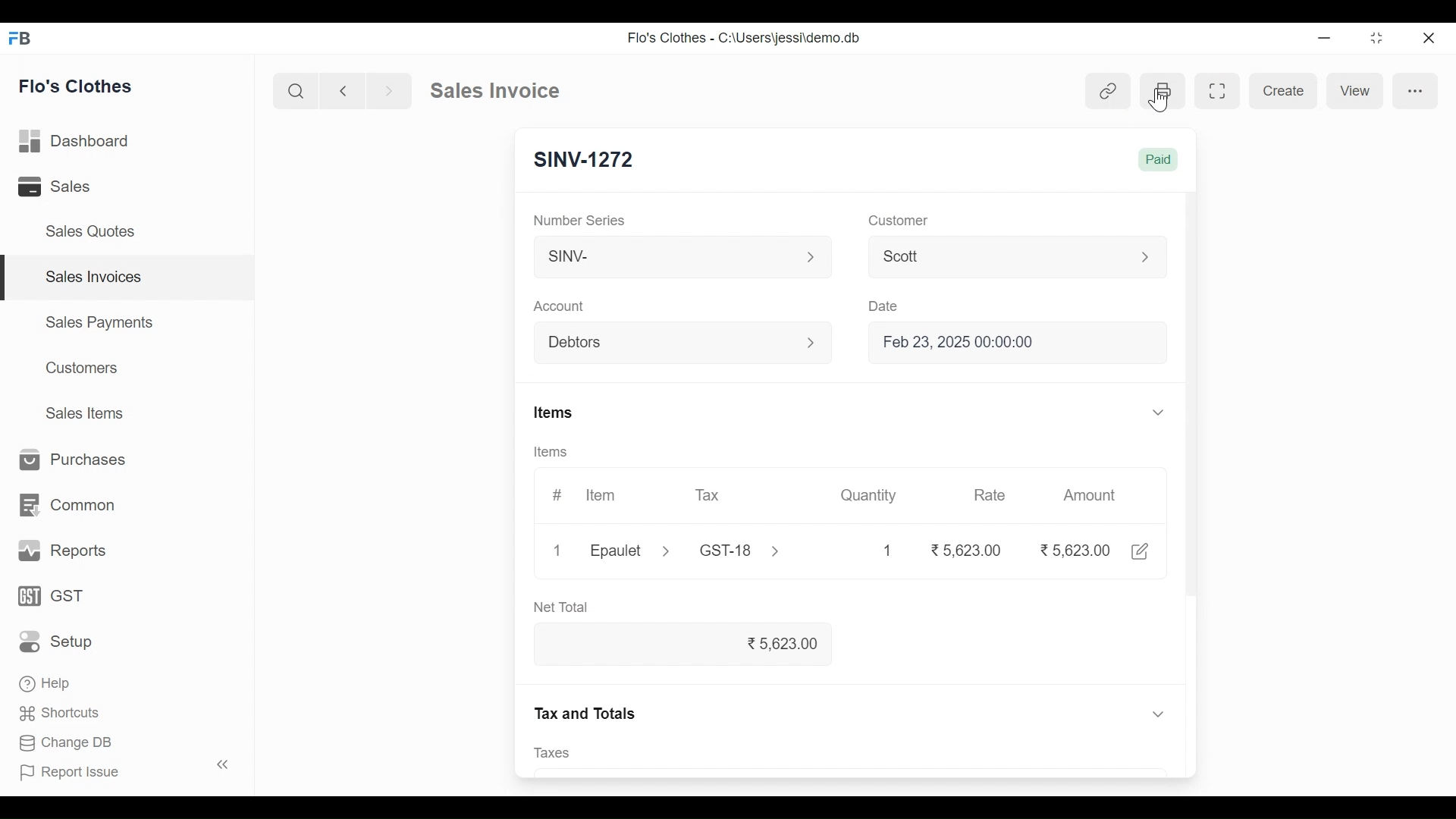 This screenshot has height=819, width=1456. Describe the element at coordinates (562, 605) in the screenshot. I see `Net Total` at that location.